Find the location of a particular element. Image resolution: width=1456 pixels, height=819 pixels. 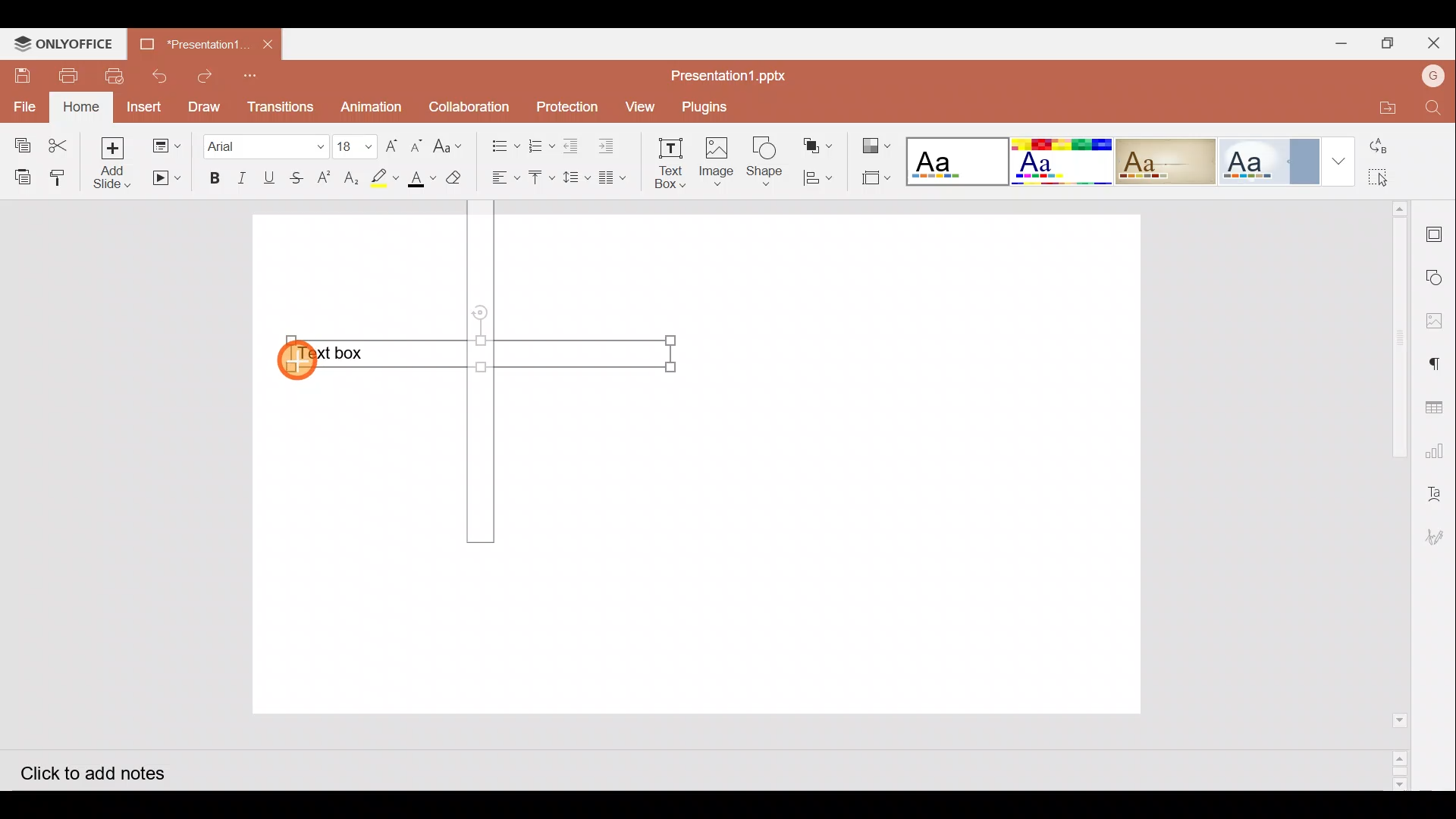

Bullets is located at coordinates (501, 142).